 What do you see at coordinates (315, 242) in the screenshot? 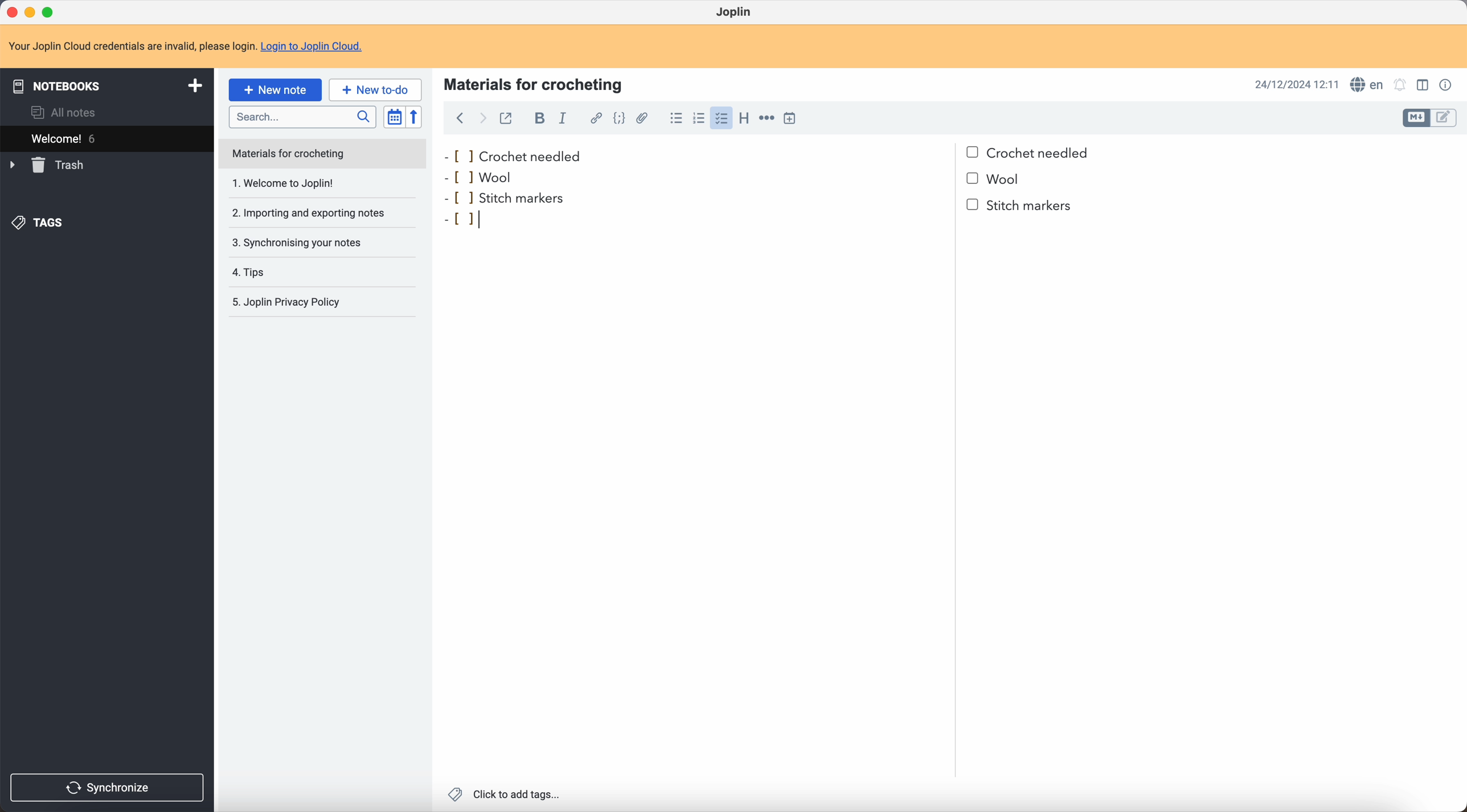
I see `synchronising your notes` at bounding box center [315, 242].